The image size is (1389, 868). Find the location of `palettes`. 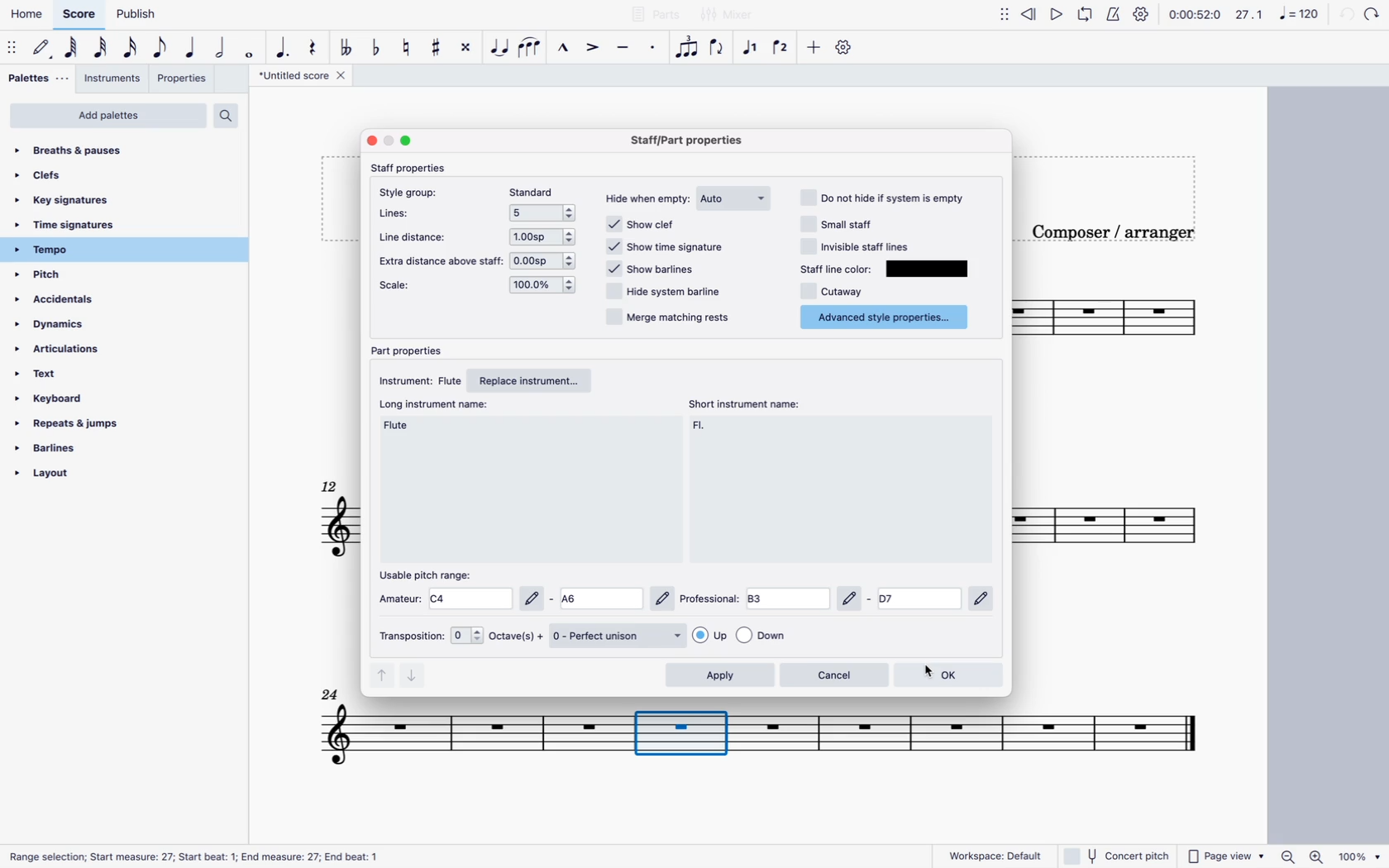

palettes is located at coordinates (36, 78).